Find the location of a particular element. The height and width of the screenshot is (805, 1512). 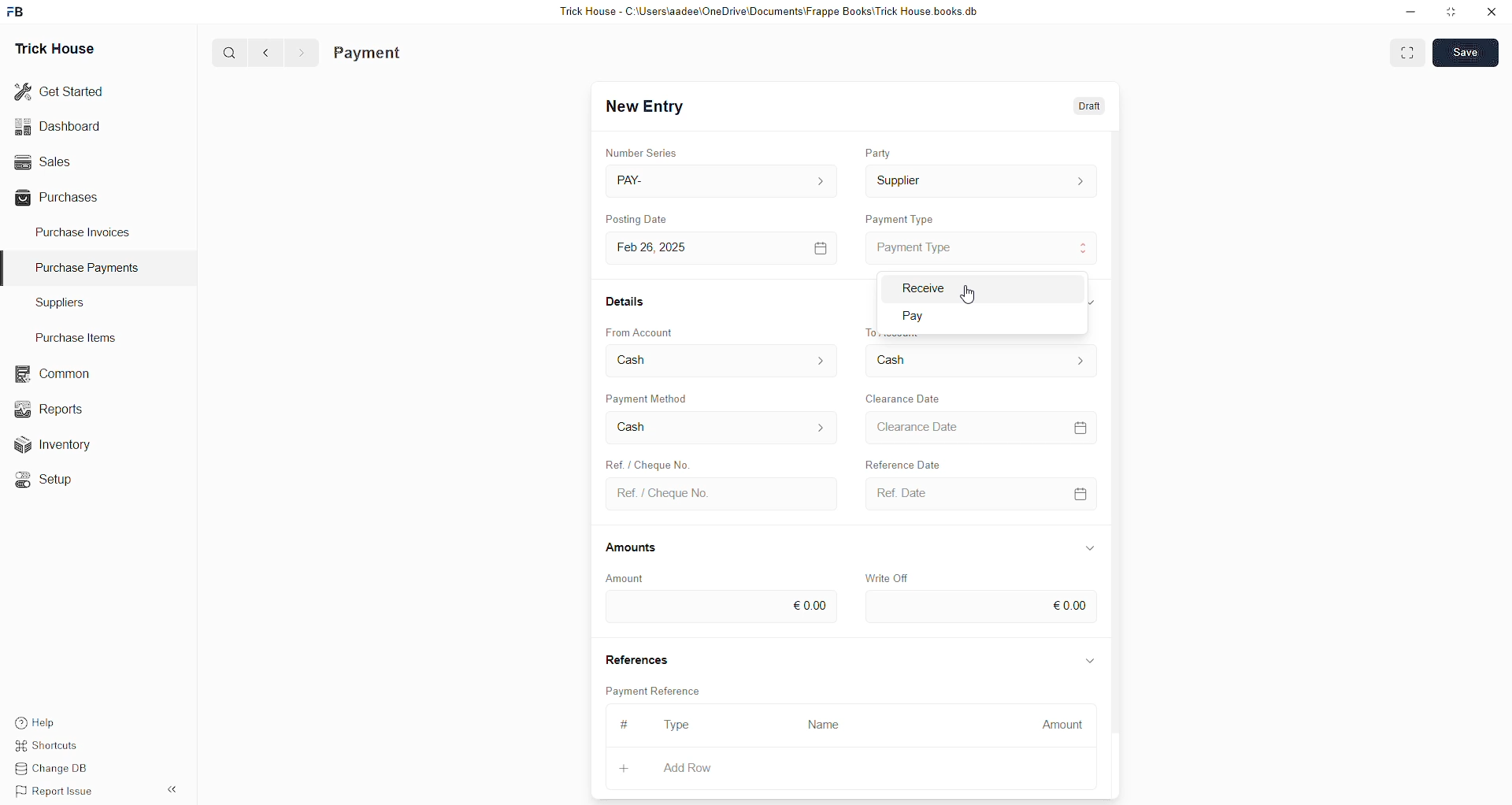

€0.00 is located at coordinates (720, 608).